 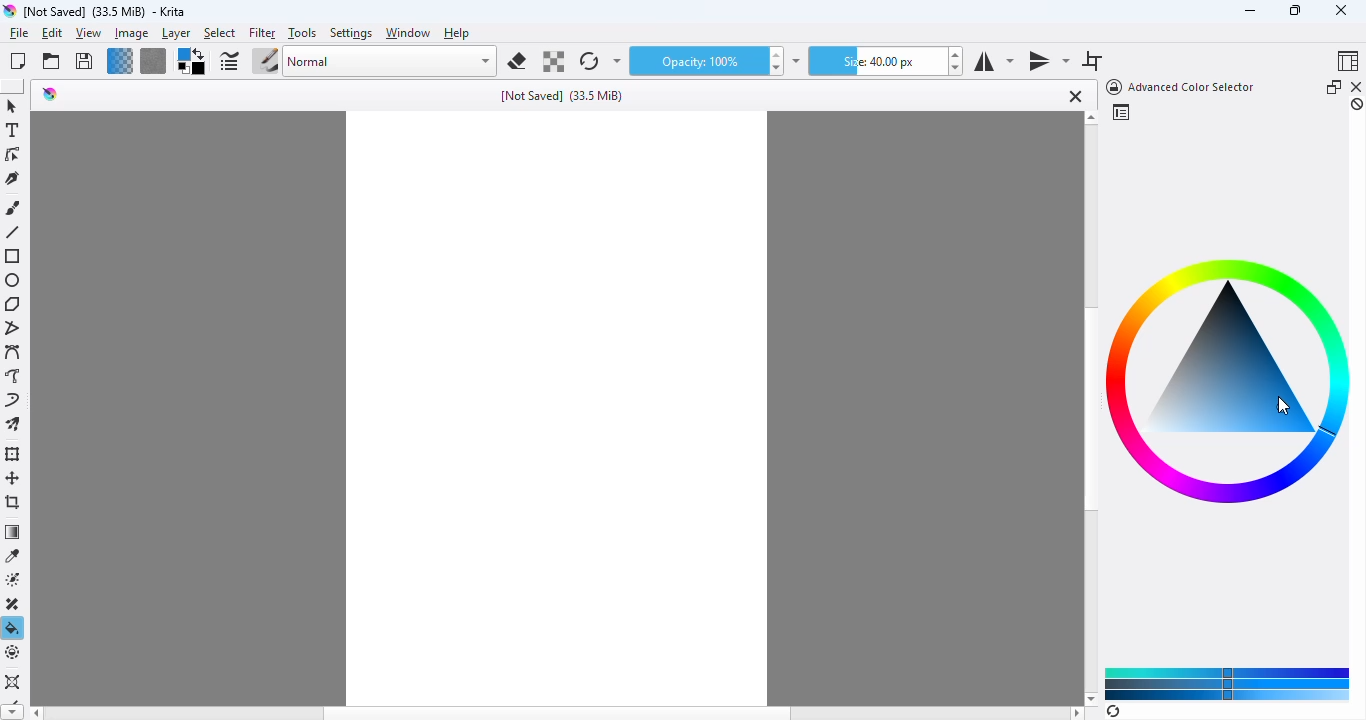 I want to click on fill a selection, so click(x=13, y=628).